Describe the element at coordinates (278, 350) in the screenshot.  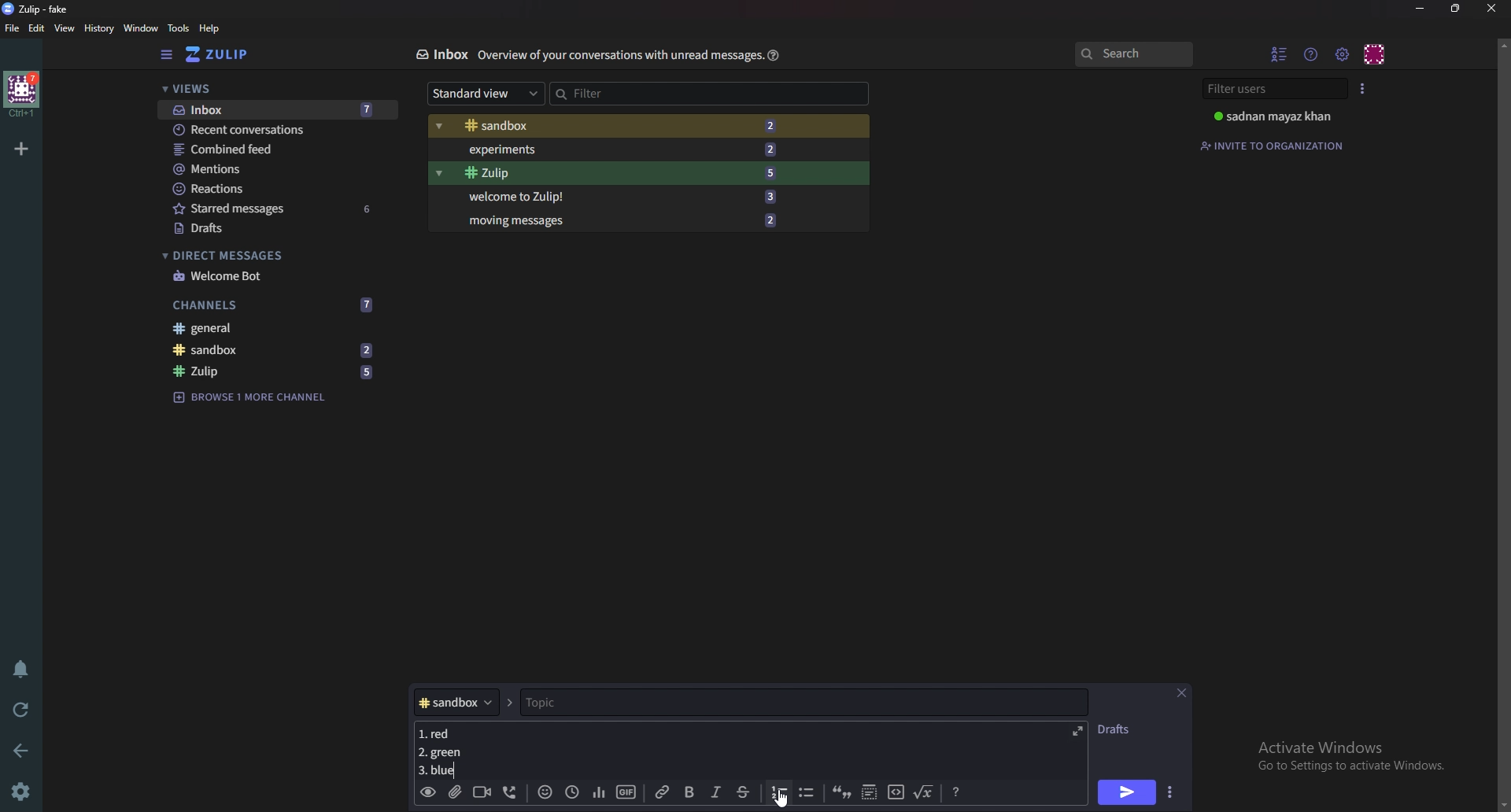
I see `sandbox` at that location.